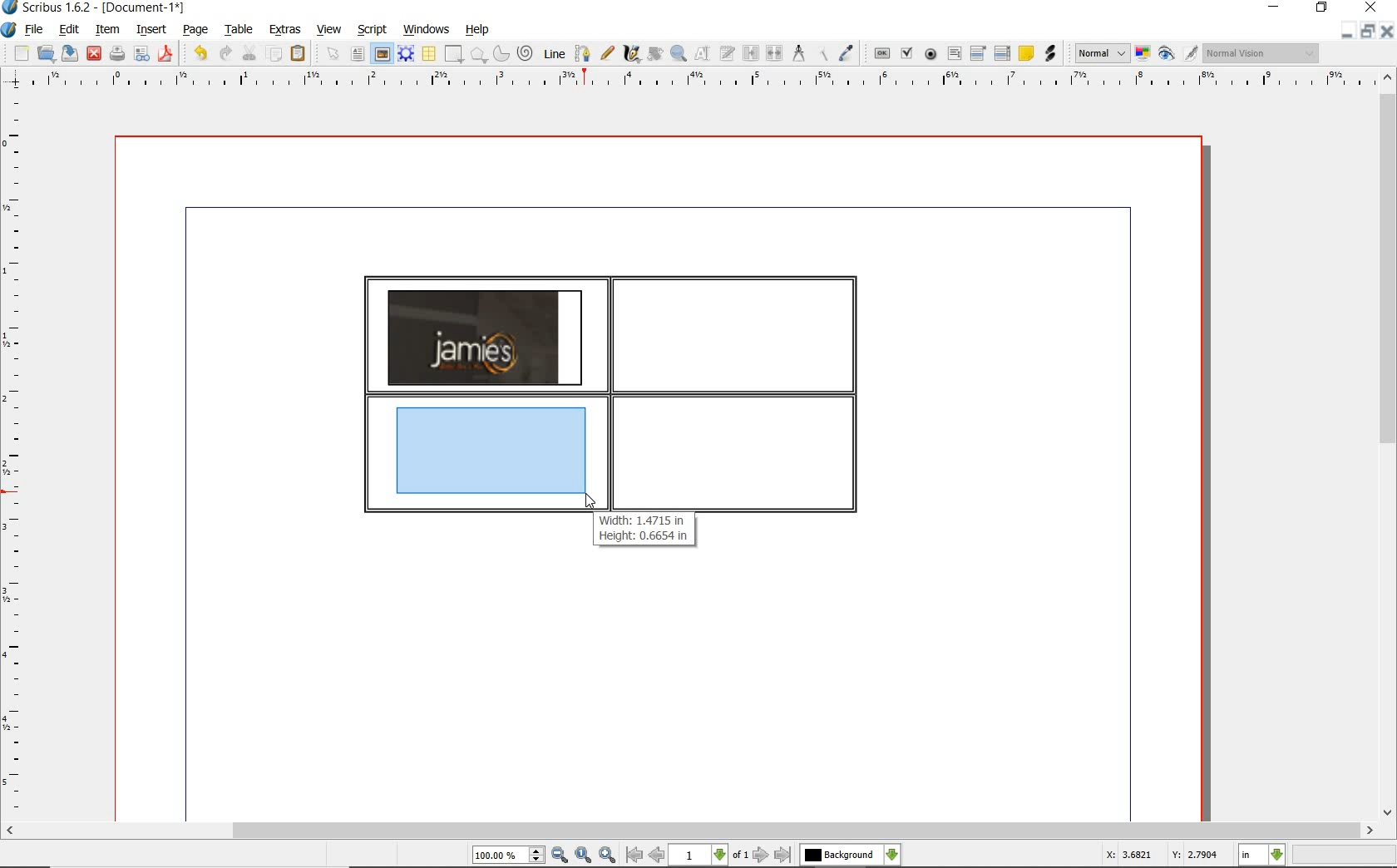  Describe the element at coordinates (678, 54) in the screenshot. I see `zoom in or out` at that location.